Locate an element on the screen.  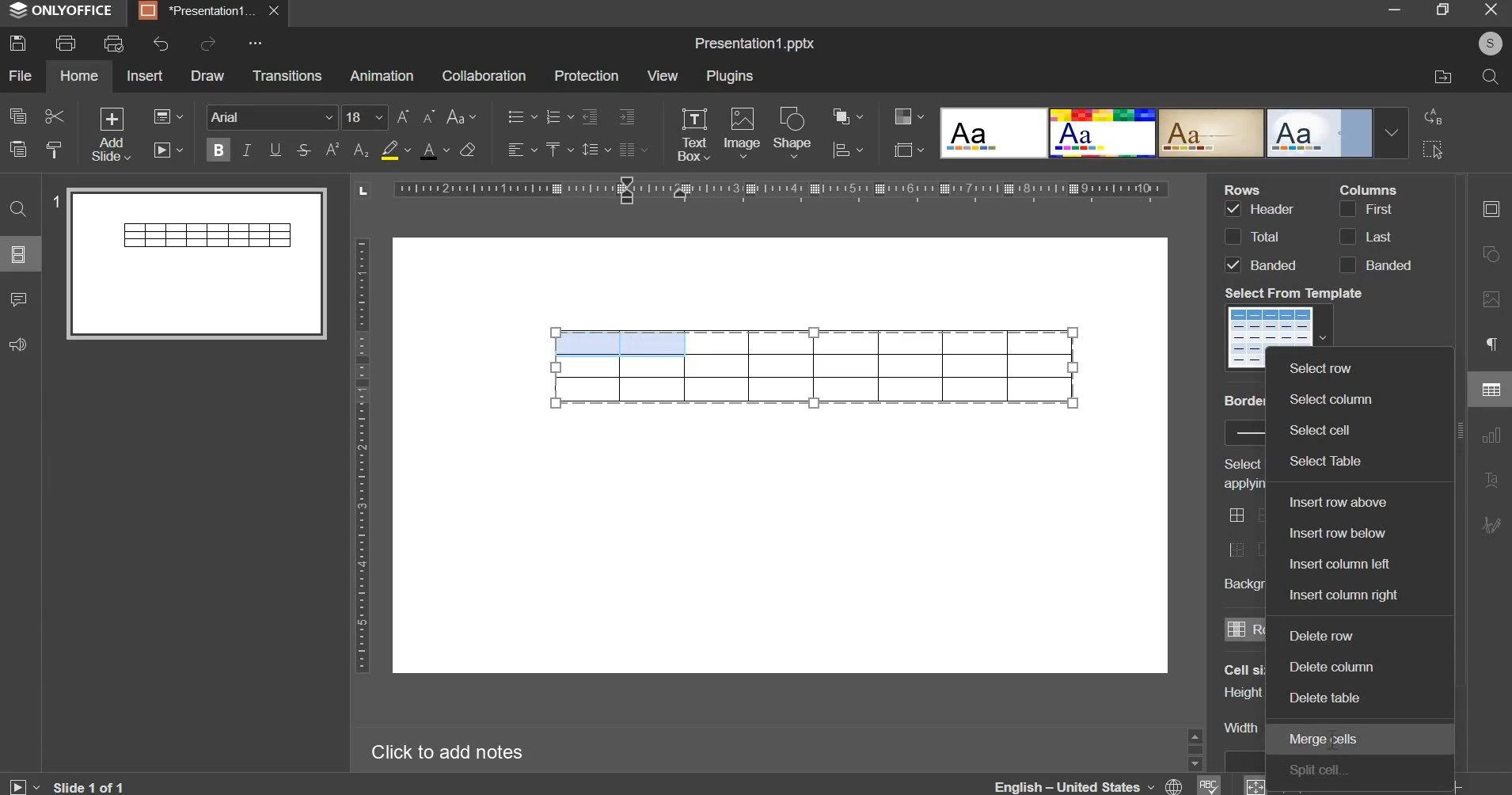
plugins is located at coordinates (731, 76).